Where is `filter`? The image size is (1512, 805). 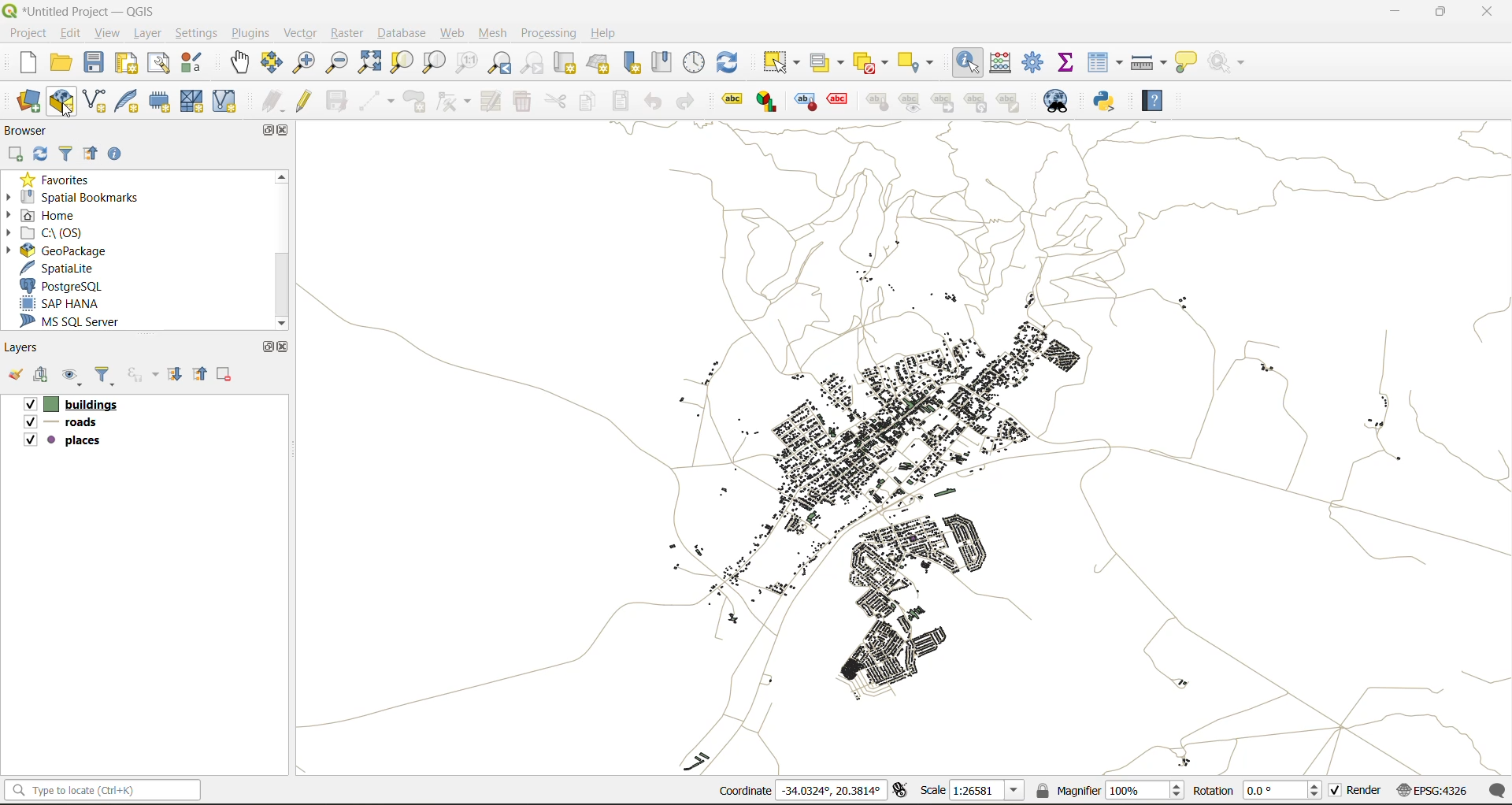 filter is located at coordinates (66, 155).